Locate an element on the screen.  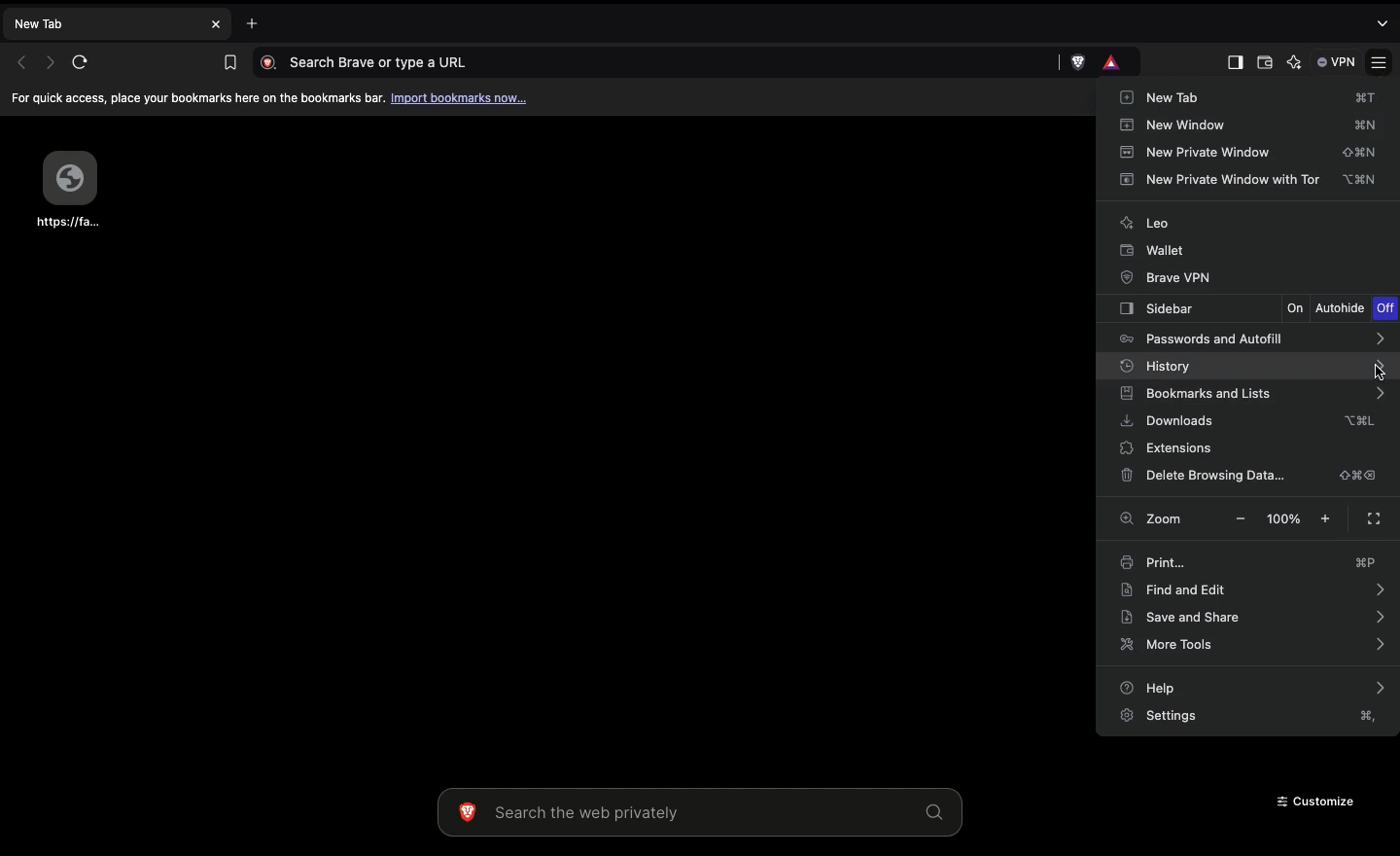
New Private window with tor is located at coordinates (1246, 181).